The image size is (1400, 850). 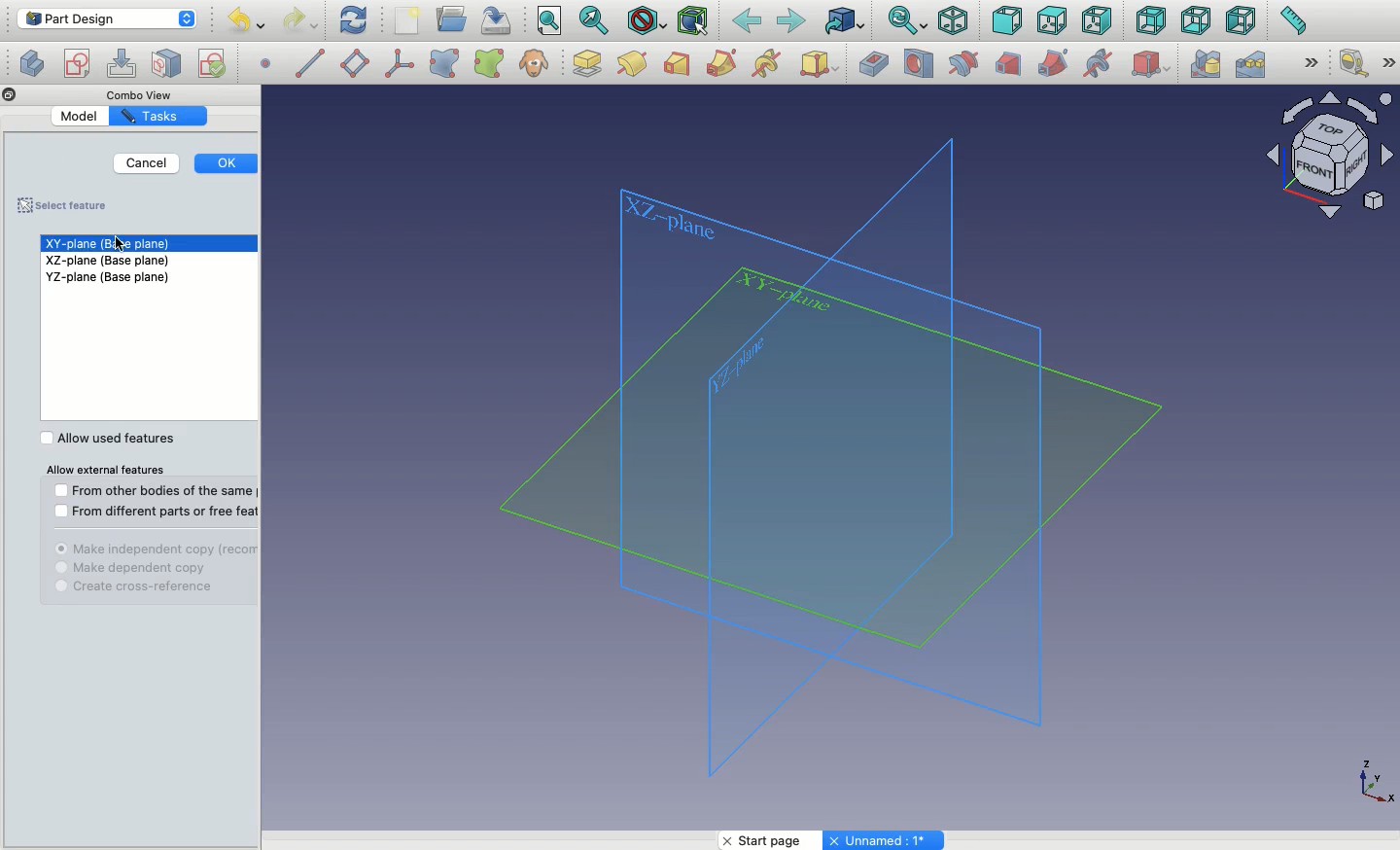 I want to click on Dependent copy, so click(x=130, y=571).